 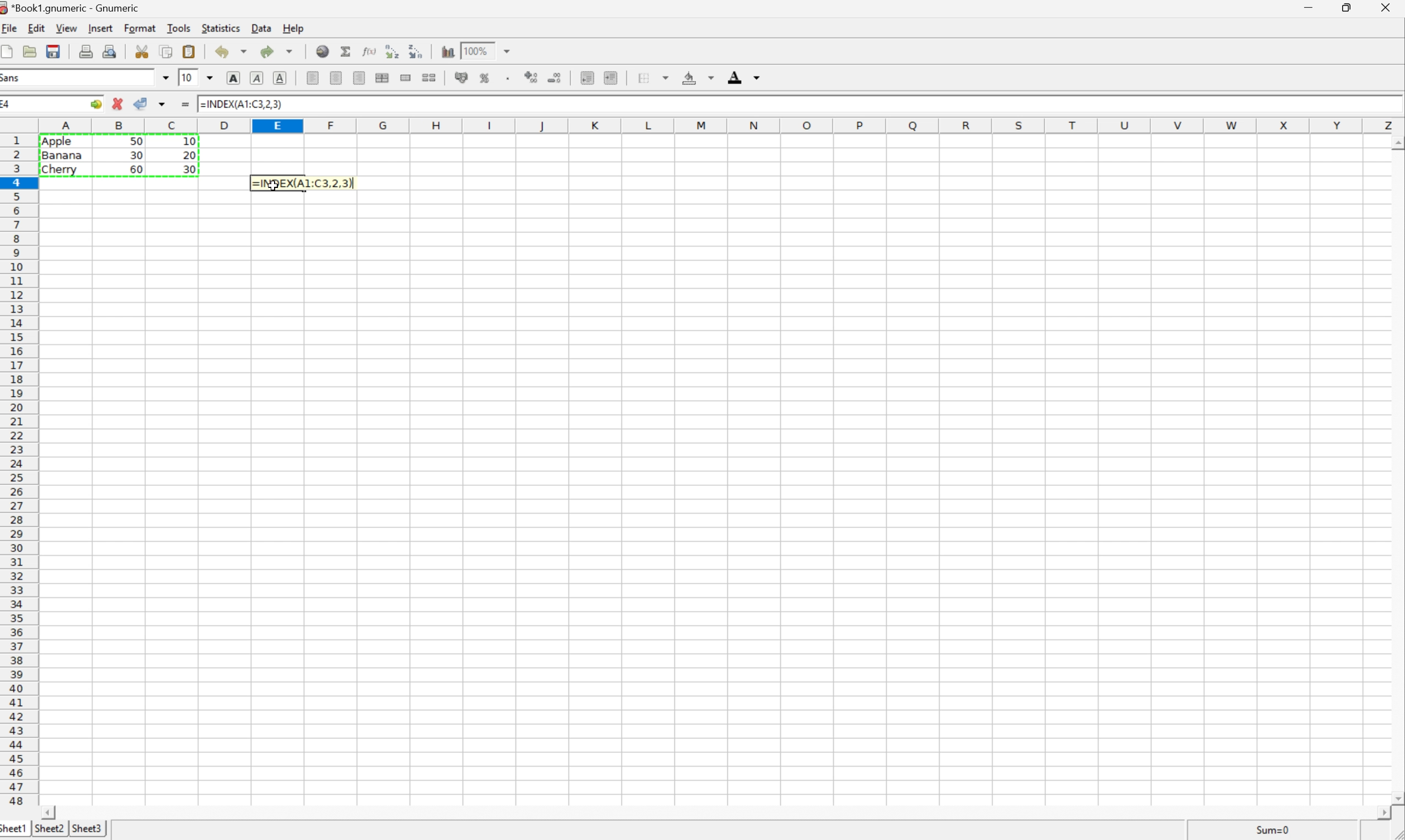 I want to click on restore down, so click(x=1350, y=7).